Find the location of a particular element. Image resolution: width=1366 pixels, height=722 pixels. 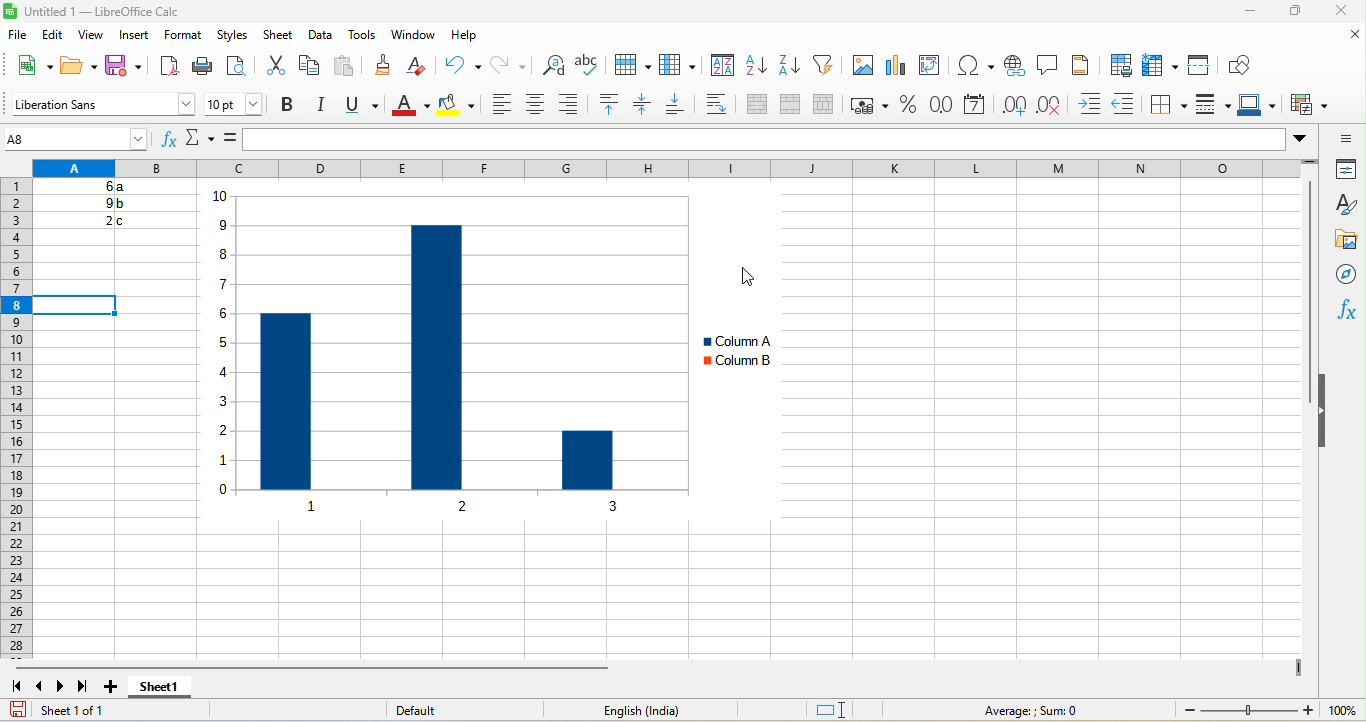

increase indent is located at coordinates (1091, 103).